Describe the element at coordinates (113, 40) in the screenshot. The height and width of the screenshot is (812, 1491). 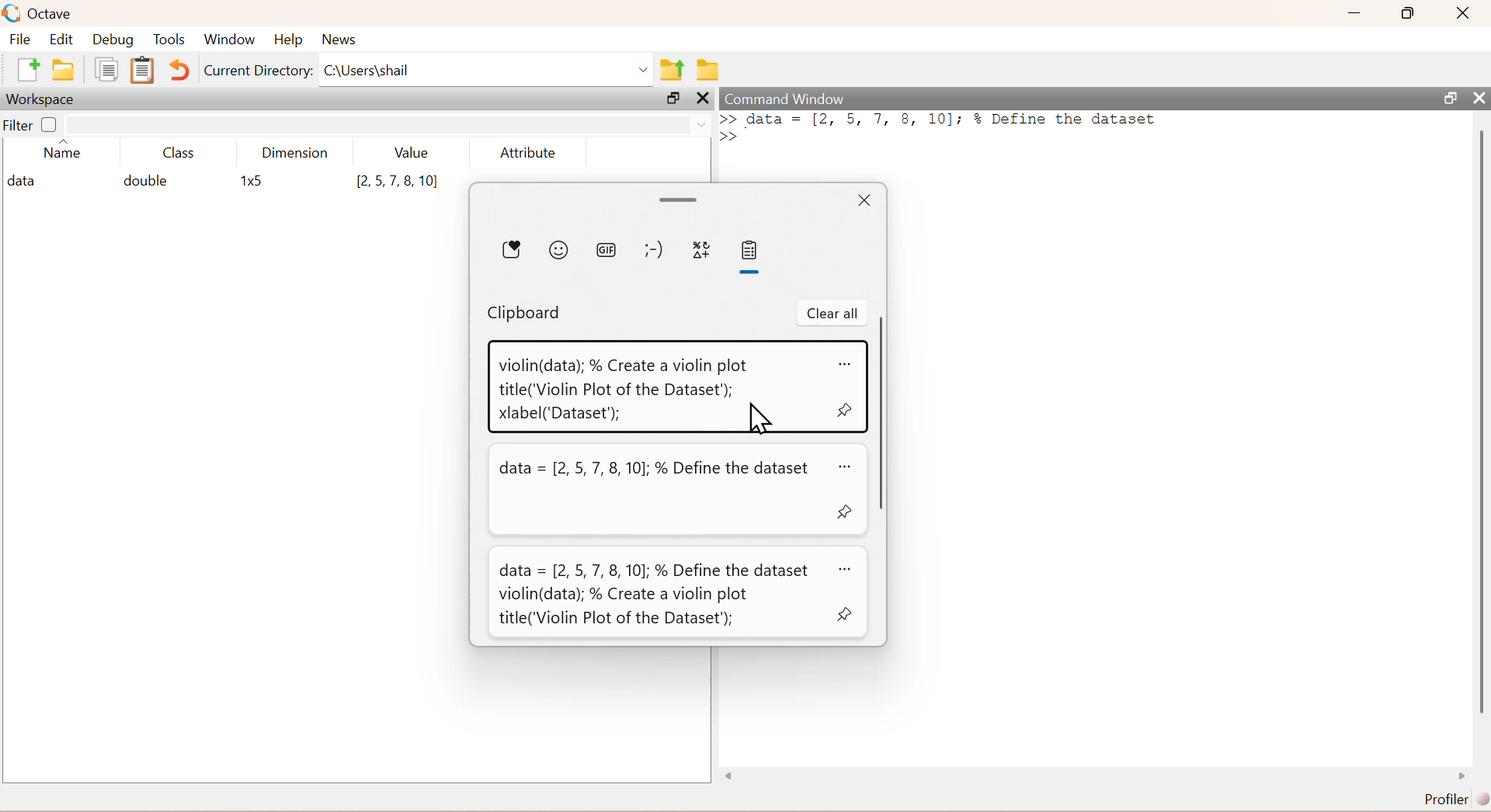
I see `debug` at that location.